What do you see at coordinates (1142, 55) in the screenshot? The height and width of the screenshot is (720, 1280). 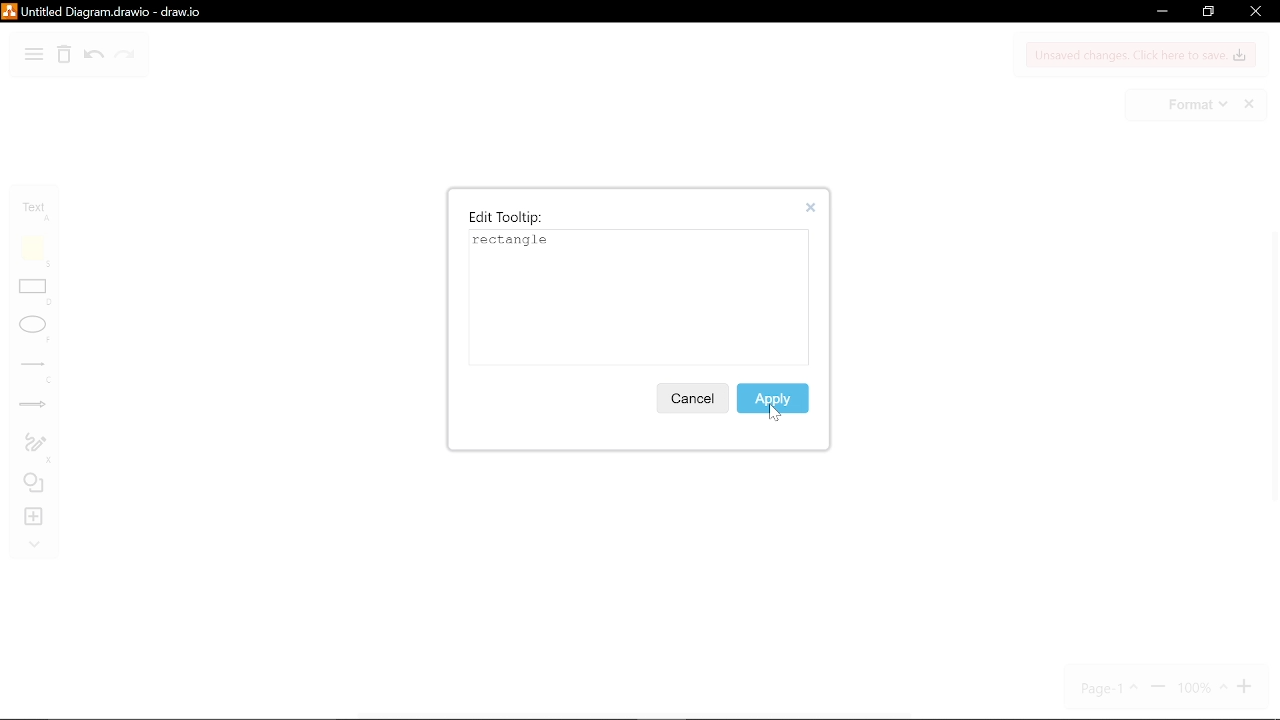 I see `unsaved changes. Click here to save ` at bounding box center [1142, 55].